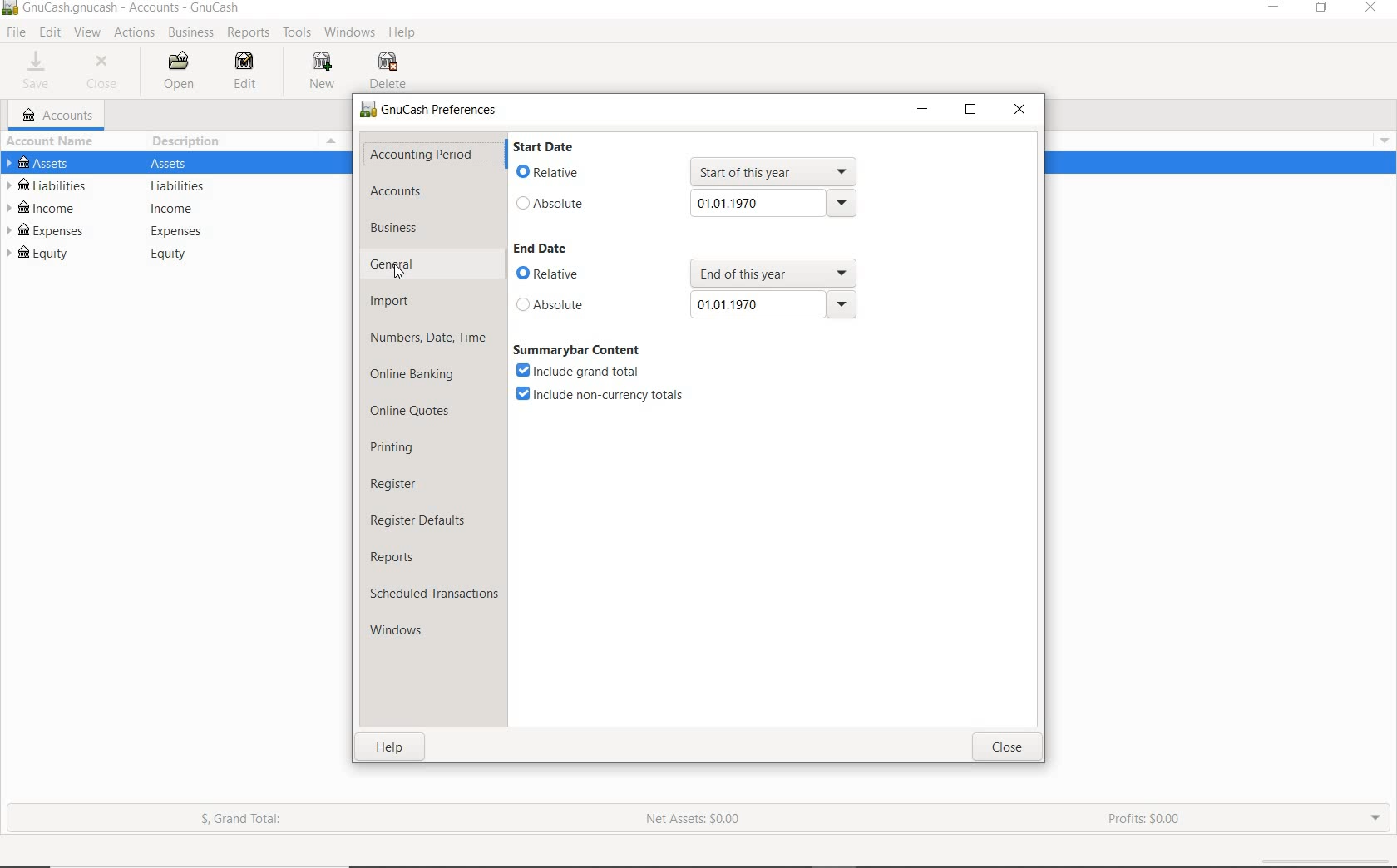 This screenshot has width=1397, height=868. What do you see at coordinates (241, 820) in the screenshot?
I see `GRAND TOTAL` at bounding box center [241, 820].